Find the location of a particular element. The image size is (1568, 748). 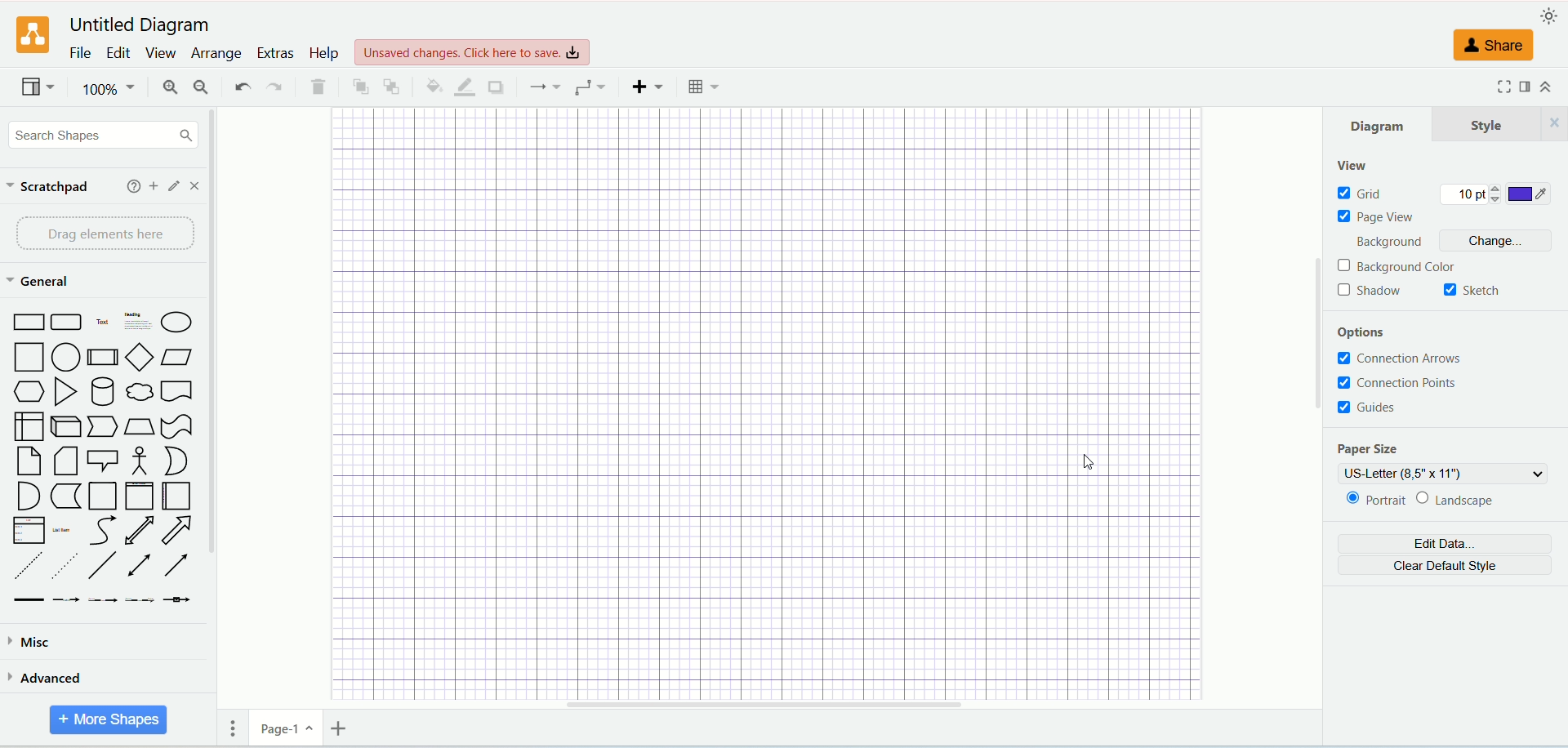

collapse/expand is located at coordinates (1546, 87).